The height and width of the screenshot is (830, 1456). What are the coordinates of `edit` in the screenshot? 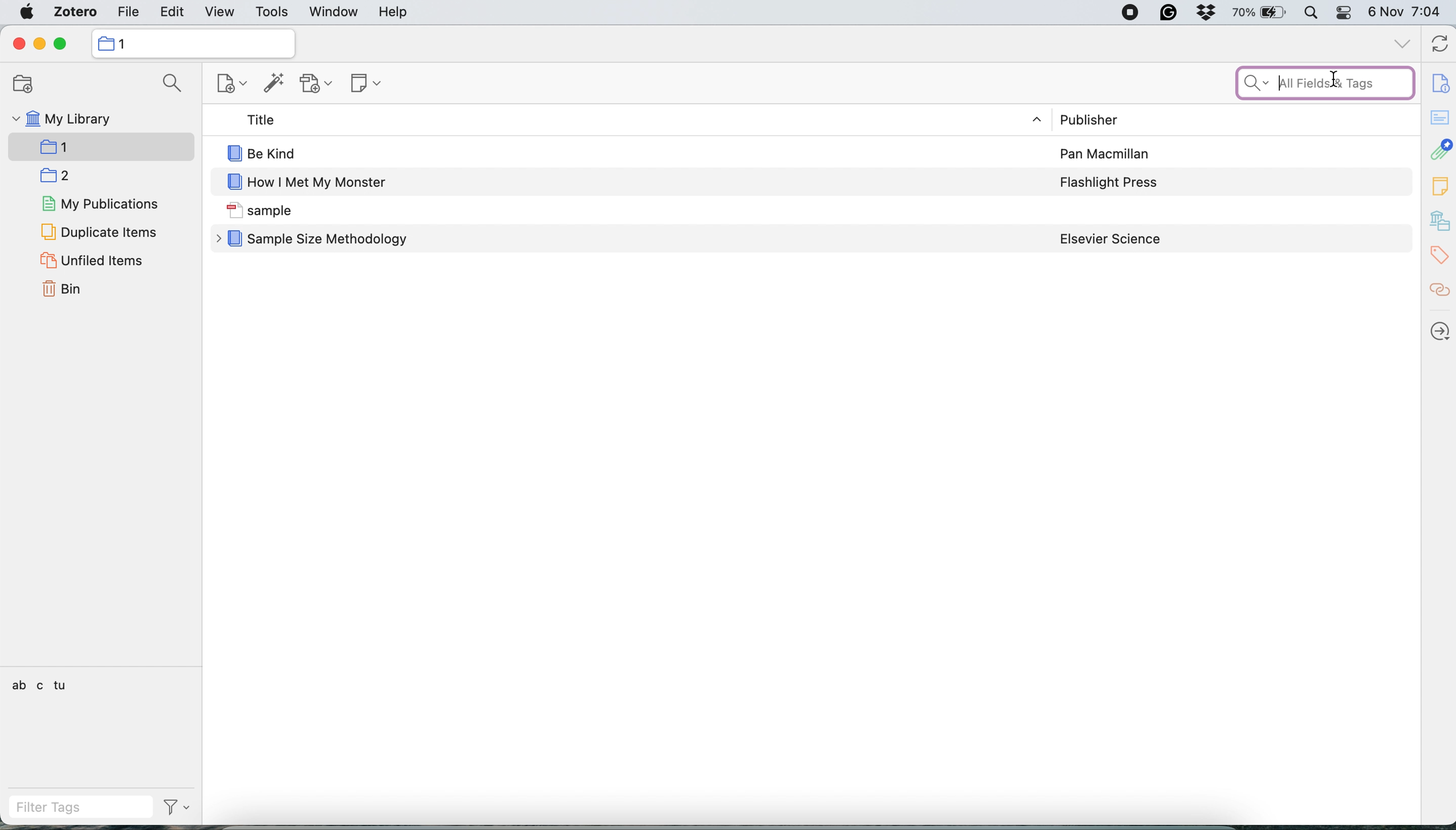 It's located at (172, 13).